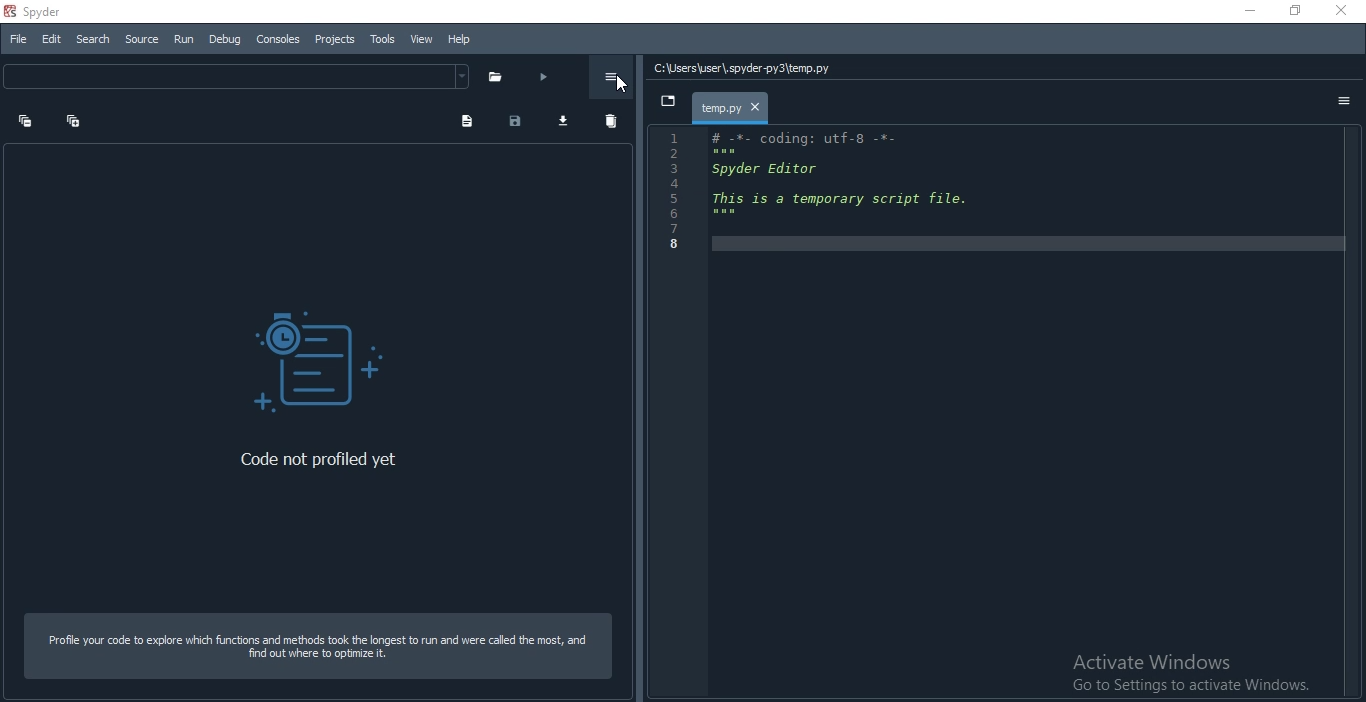 Image resolution: width=1366 pixels, height=702 pixels. I want to click on File , so click(17, 39).